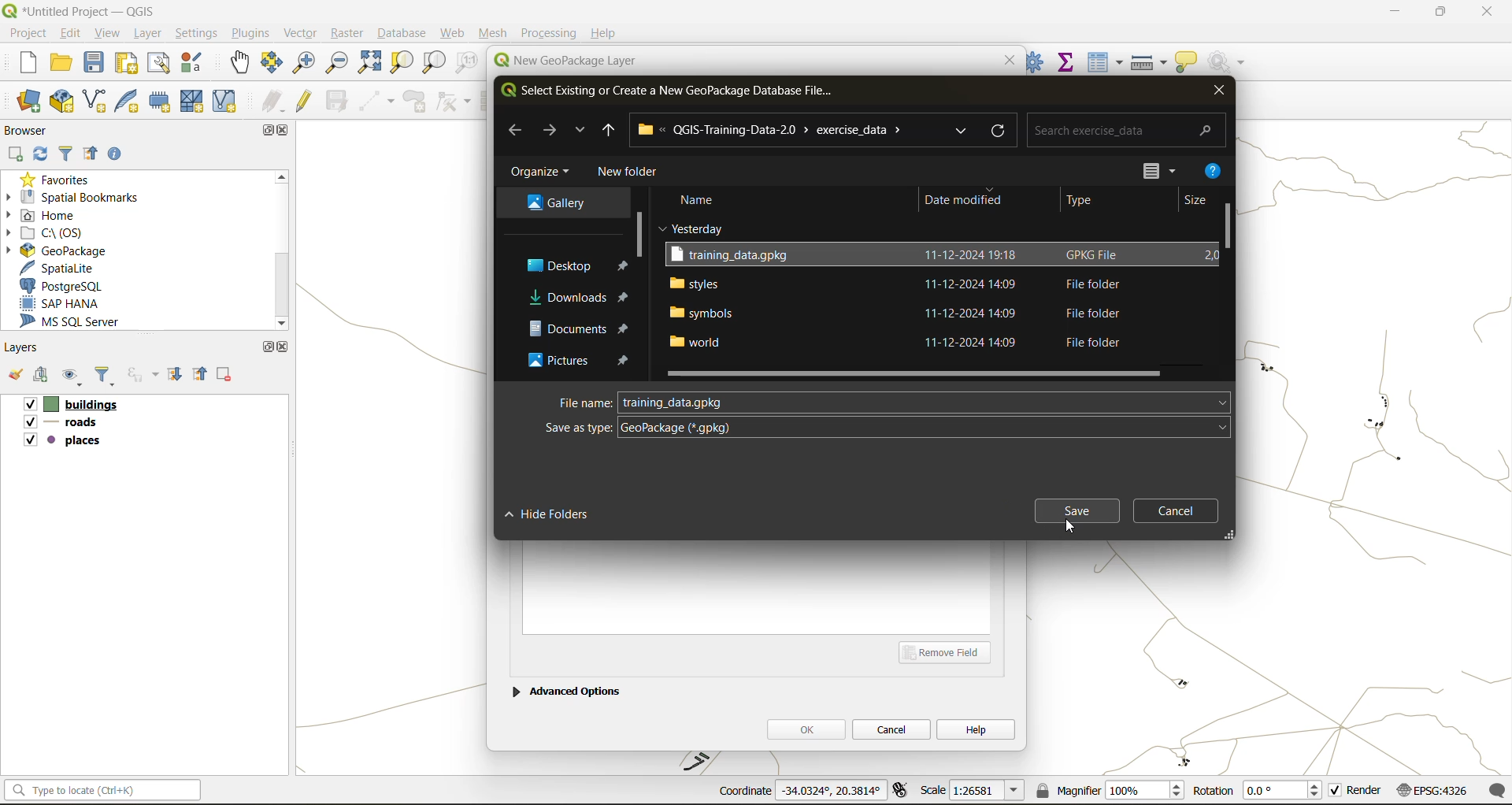  What do you see at coordinates (1180, 509) in the screenshot?
I see `cancel` at bounding box center [1180, 509].